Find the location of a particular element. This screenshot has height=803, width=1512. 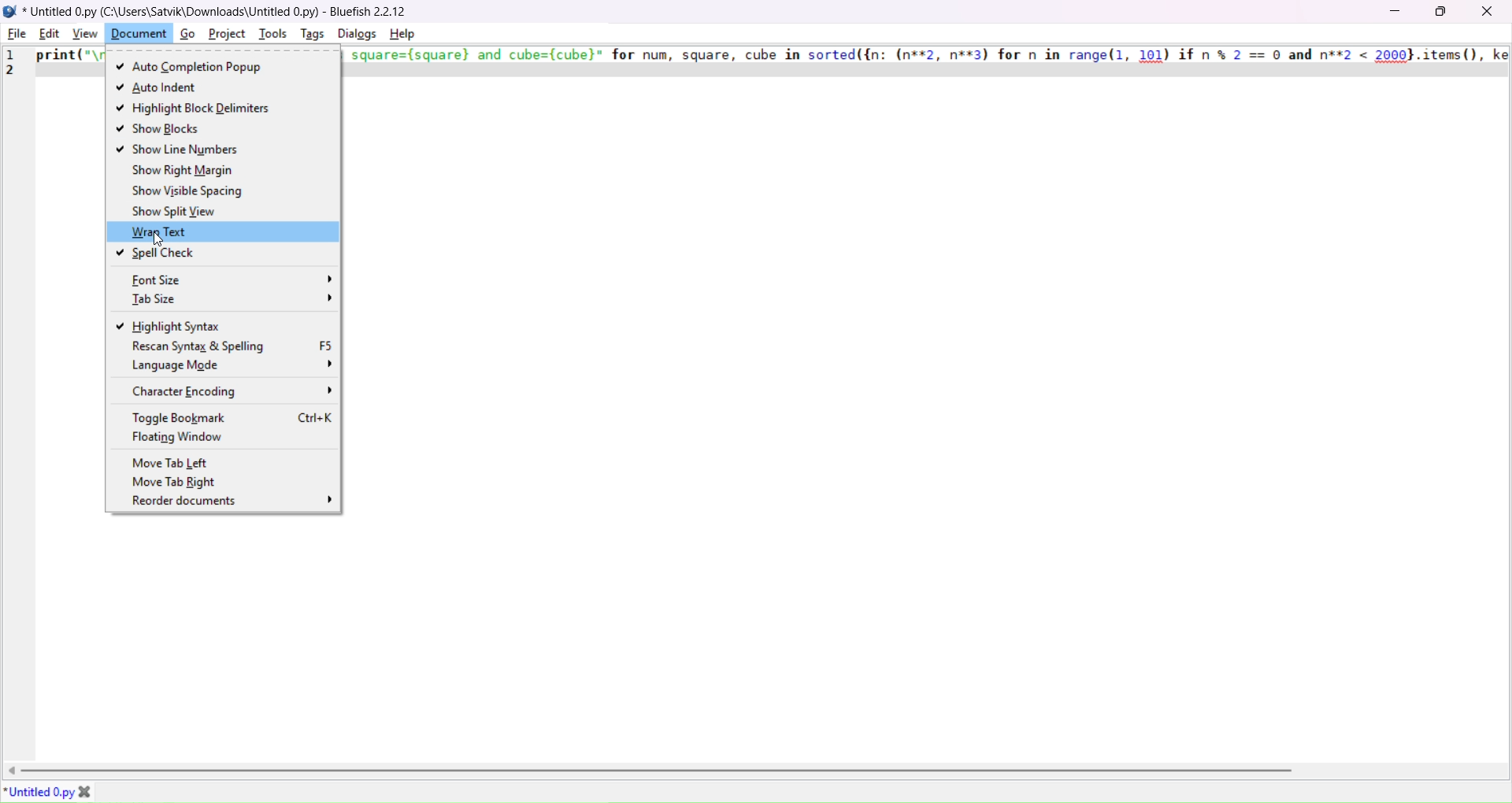

wrap text is located at coordinates (158, 232).